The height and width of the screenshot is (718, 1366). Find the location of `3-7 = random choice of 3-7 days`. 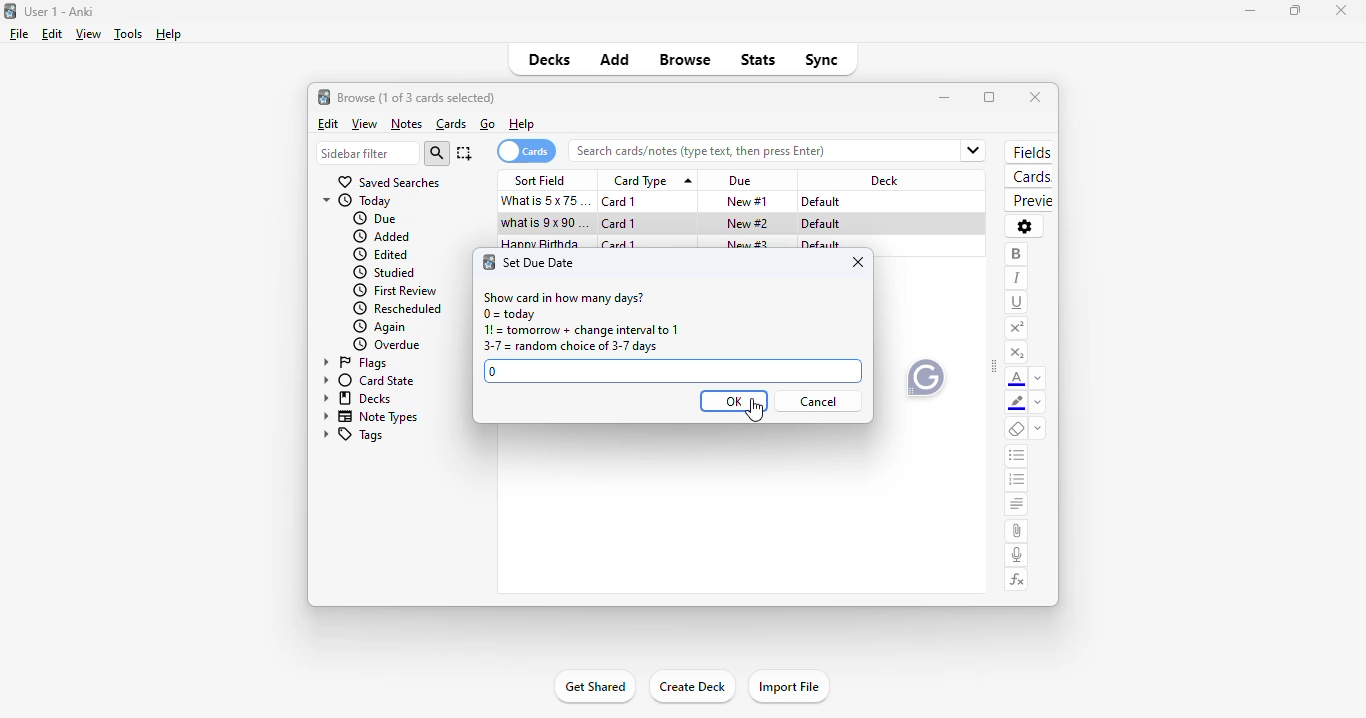

3-7 = random choice of 3-7 days is located at coordinates (570, 348).